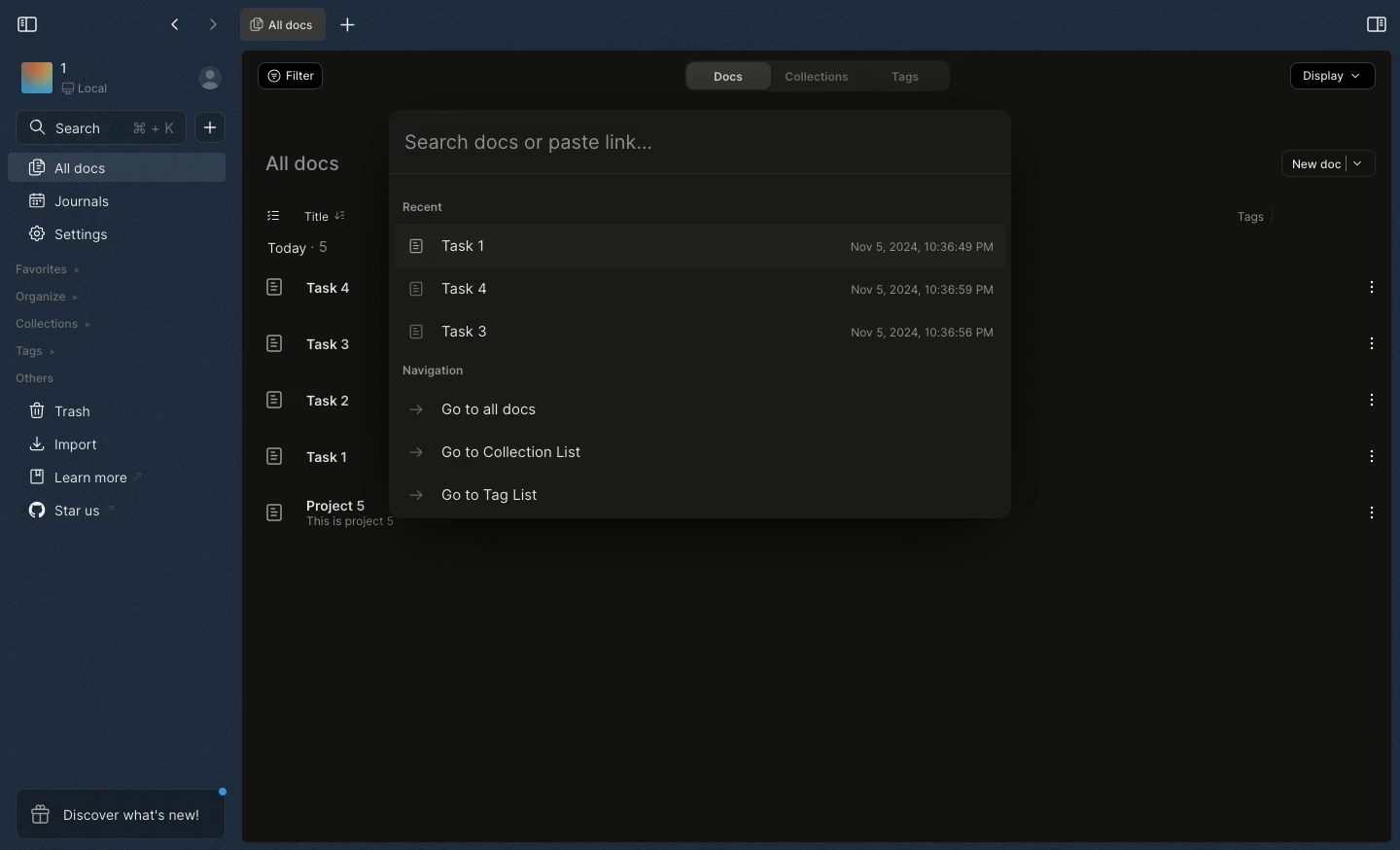 This screenshot has width=1400, height=850. I want to click on Collapse sidebar, so click(26, 22).